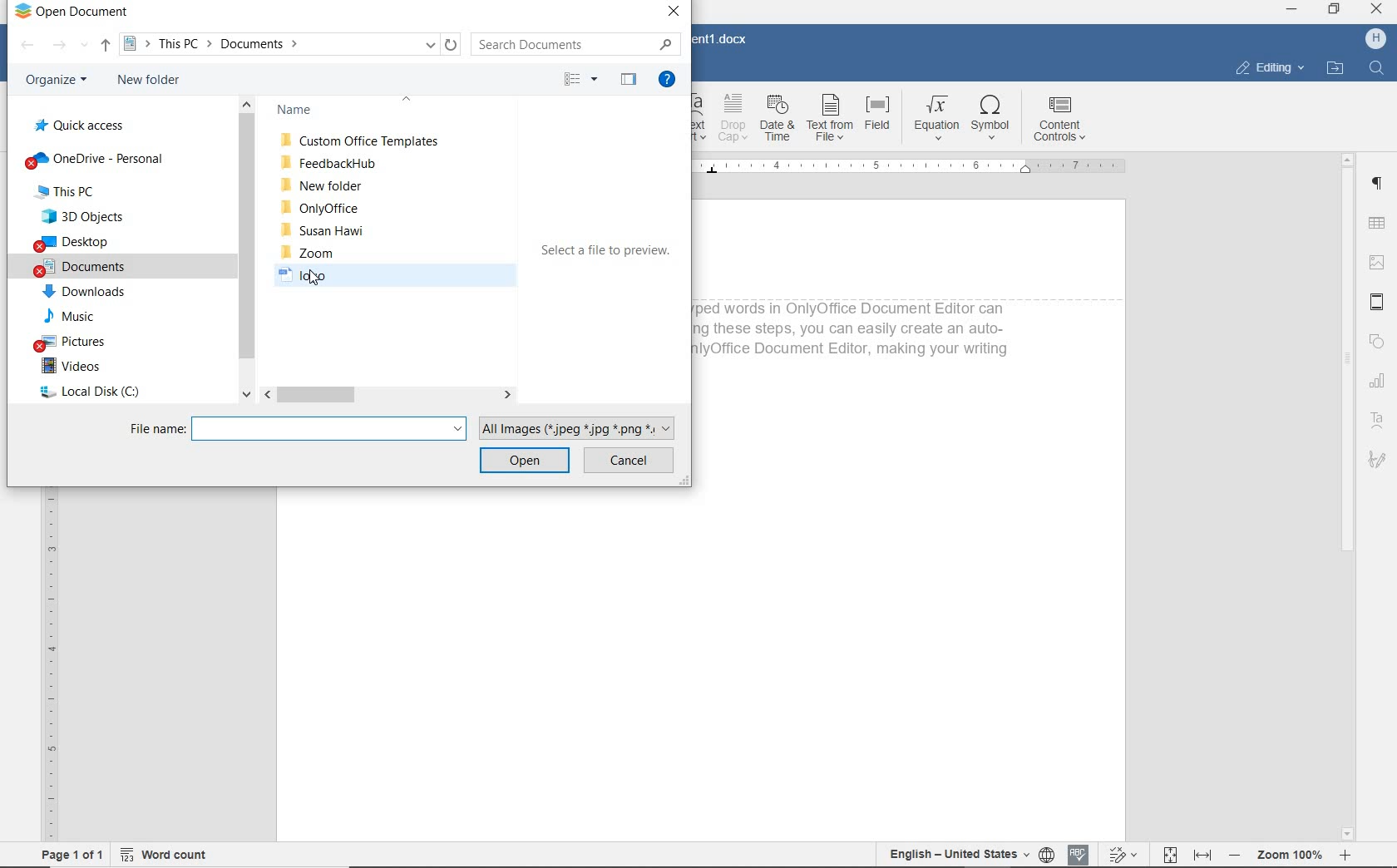 The width and height of the screenshot is (1397, 868). I want to click on SYMBOL, so click(992, 121).